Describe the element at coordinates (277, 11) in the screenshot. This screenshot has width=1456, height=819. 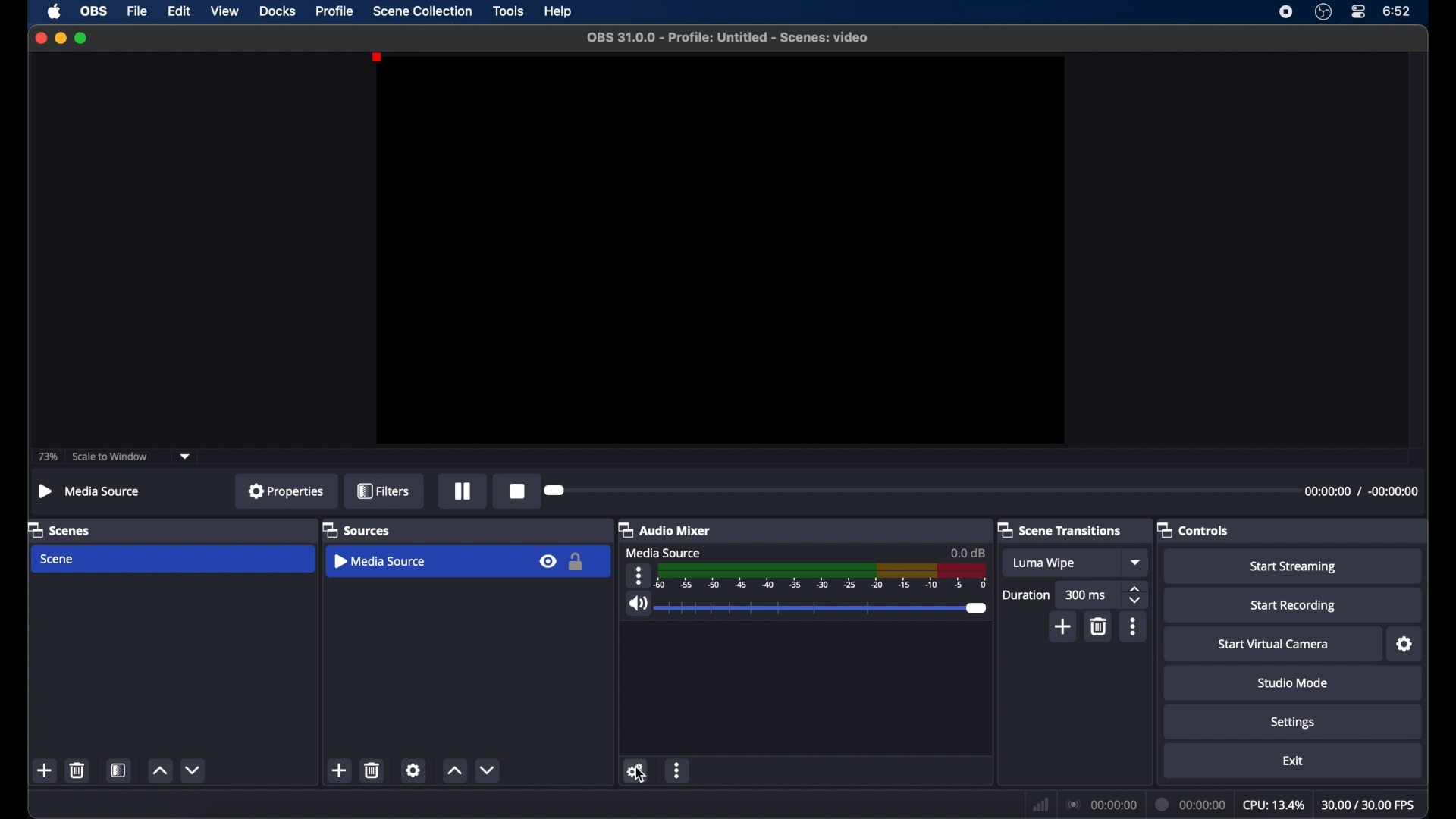
I see `docks` at that location.